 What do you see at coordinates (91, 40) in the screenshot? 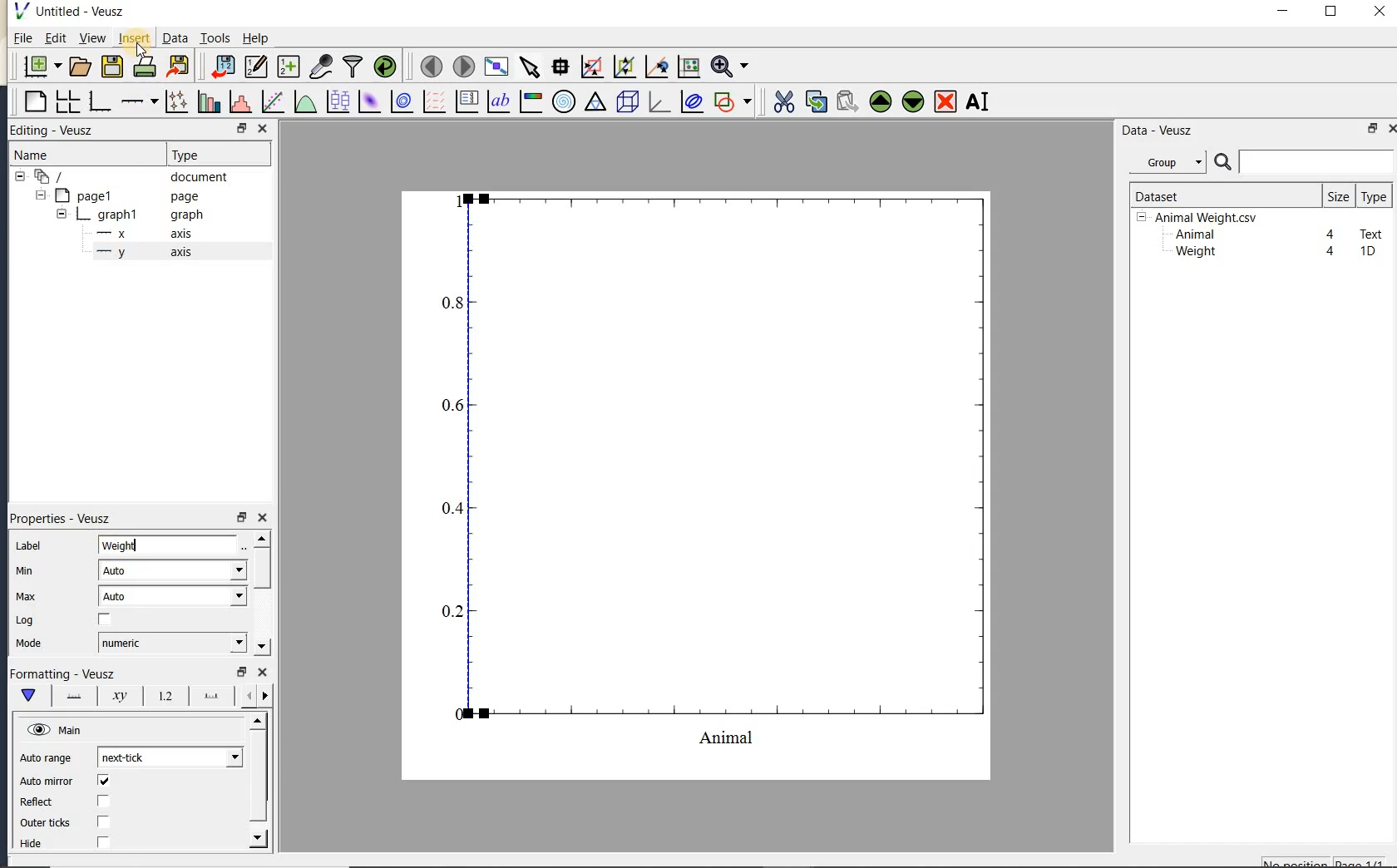
I see `view` at bounding box center [91, 40].